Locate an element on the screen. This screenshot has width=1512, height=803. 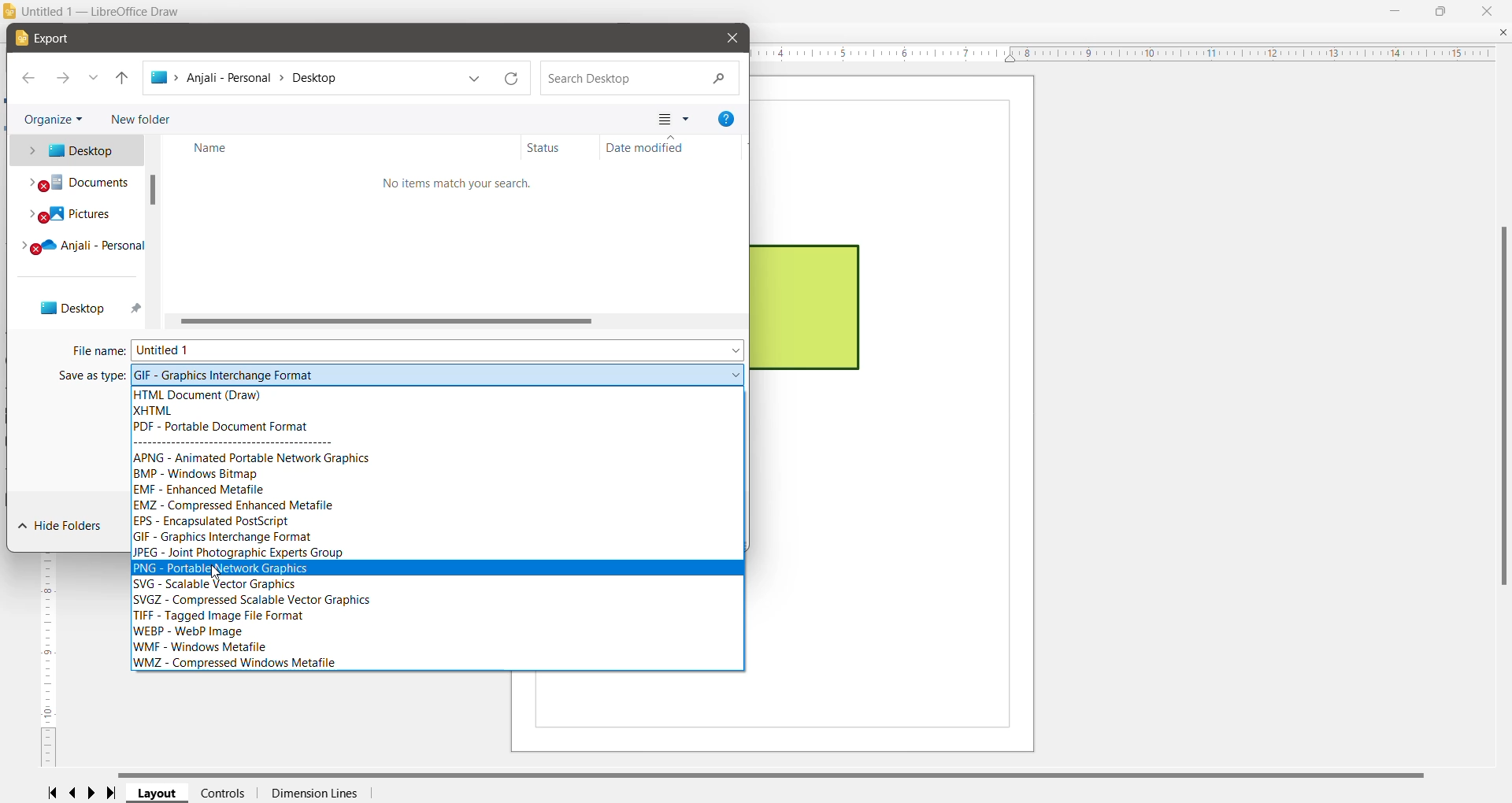
System locations is located at coordinates (74, 231).